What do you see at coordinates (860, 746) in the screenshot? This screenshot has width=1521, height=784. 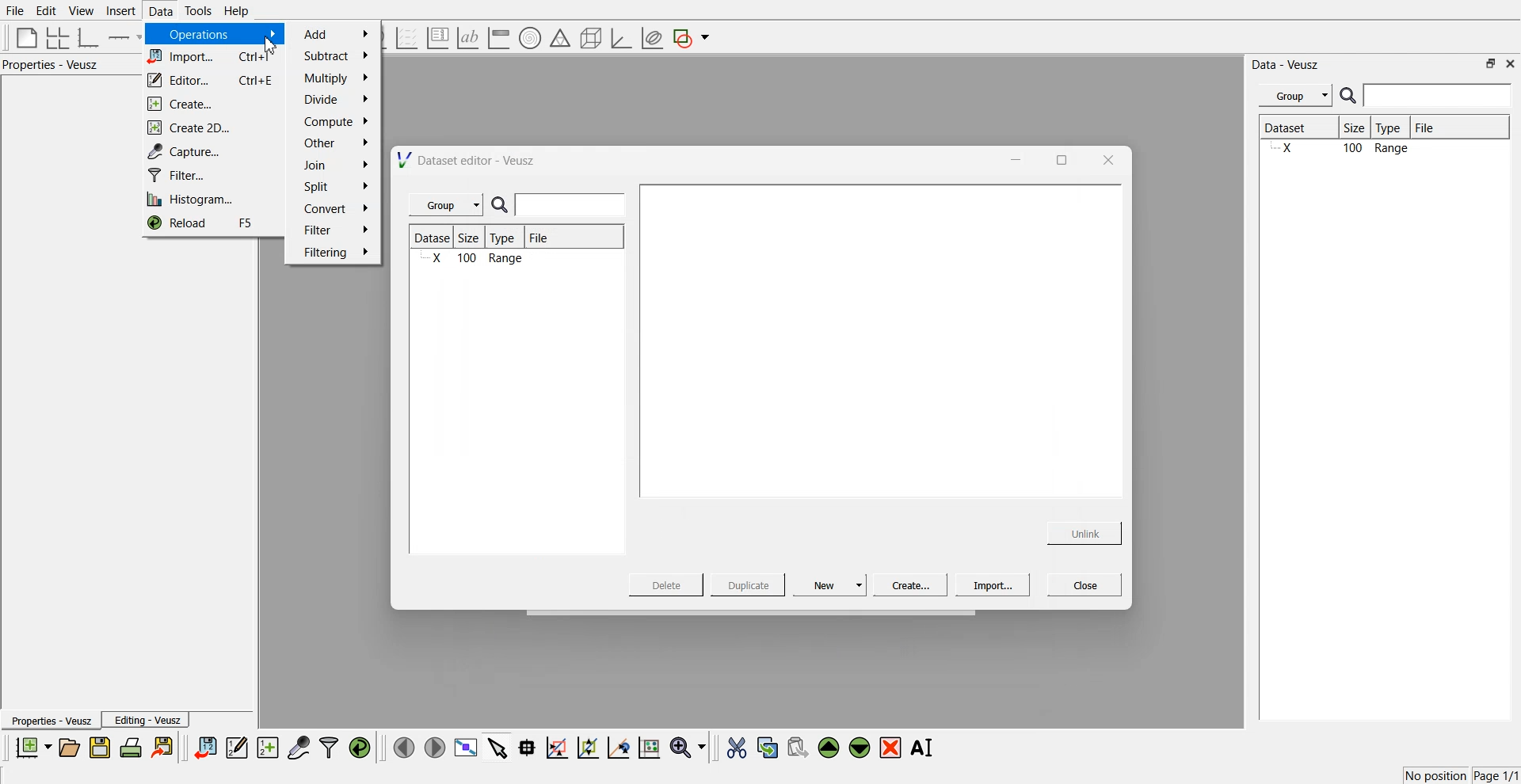 I see `move  the selected widgets down` at bounding box center [860, 746].